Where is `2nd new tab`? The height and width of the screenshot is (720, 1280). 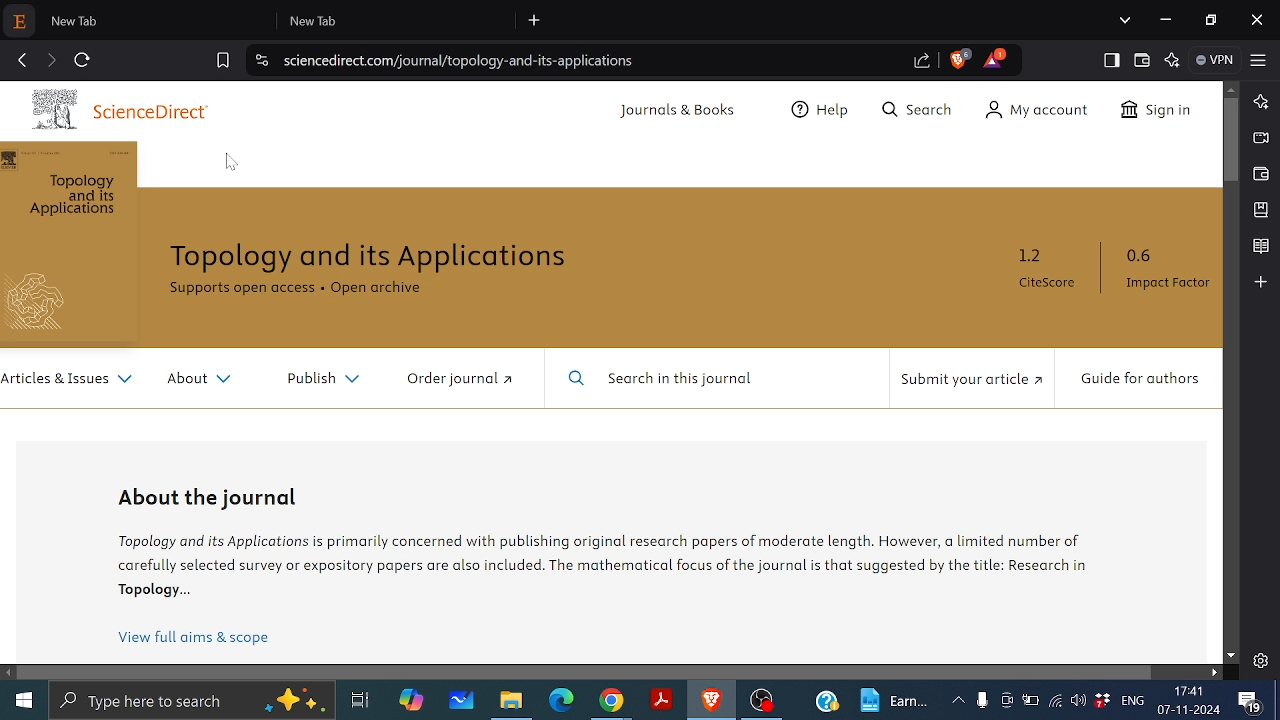
2nd new tab is located at coordinates (397, 20).